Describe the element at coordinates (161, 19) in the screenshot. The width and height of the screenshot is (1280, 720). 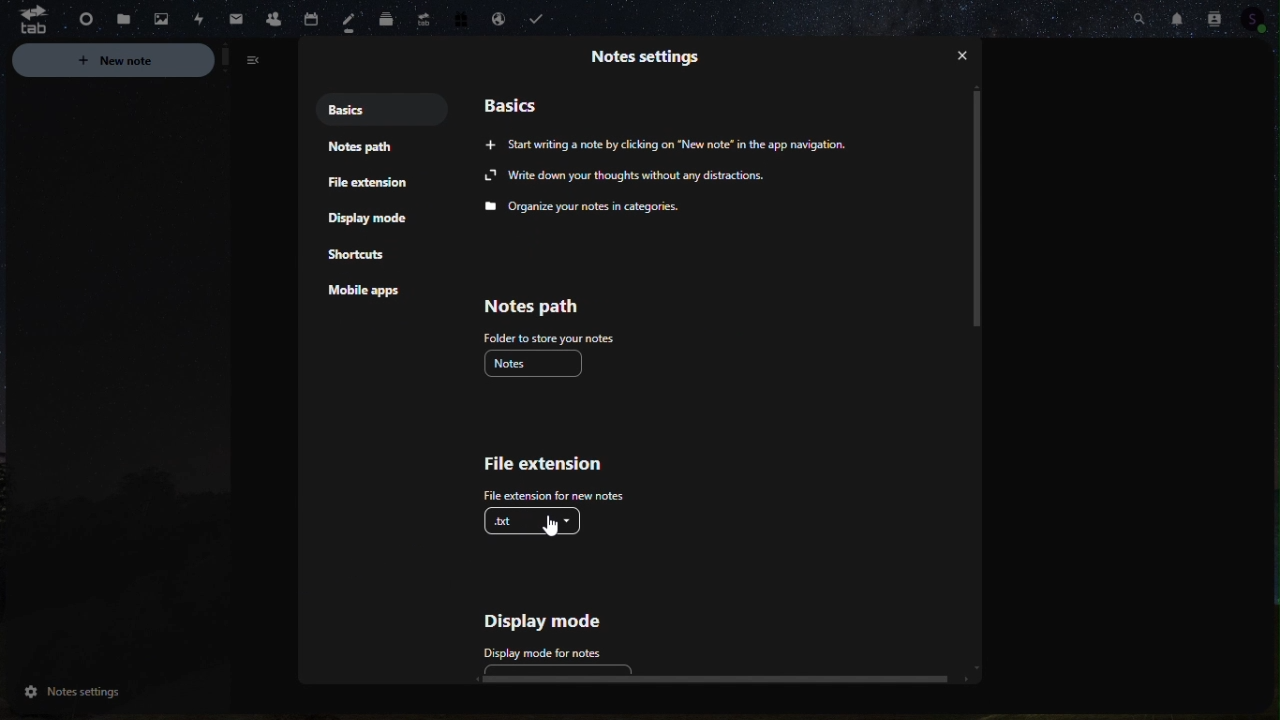
I see `Photos` at that location.